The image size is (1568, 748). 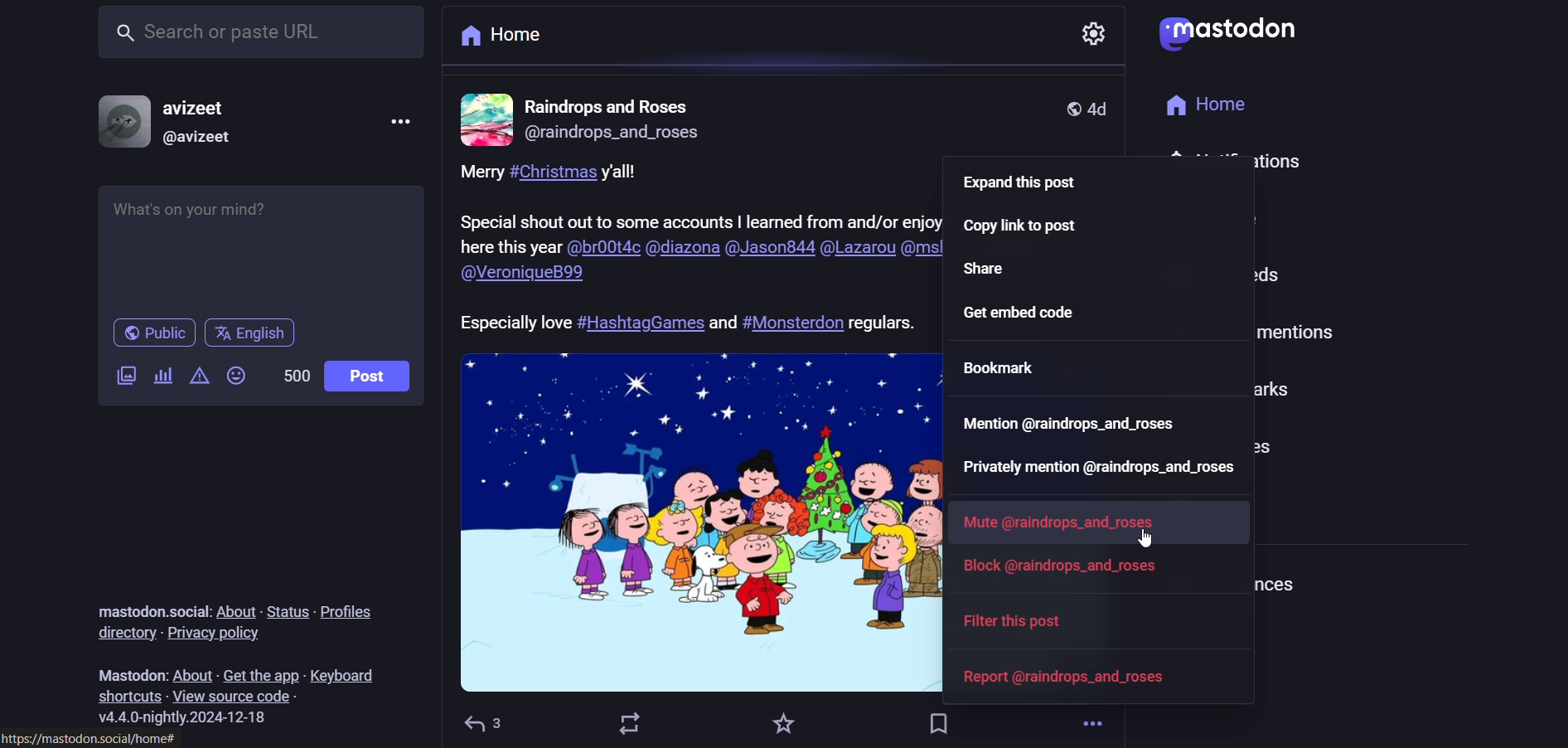 I want to click on directory, so click(x=123, y=633).